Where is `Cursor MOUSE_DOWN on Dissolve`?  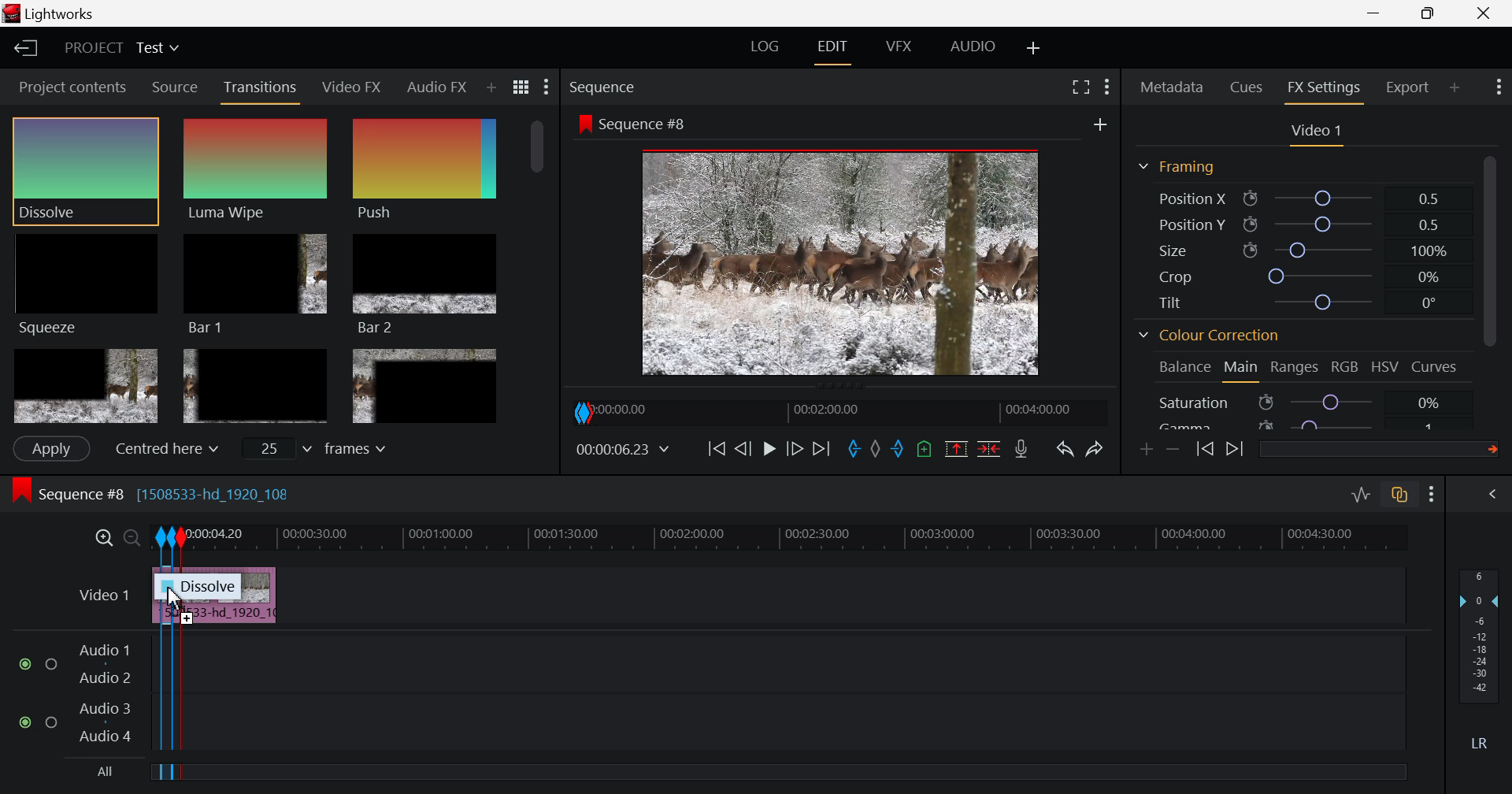
Cursor MOUSE_DOWN on Dissolve is located at coordinates (86, 171).